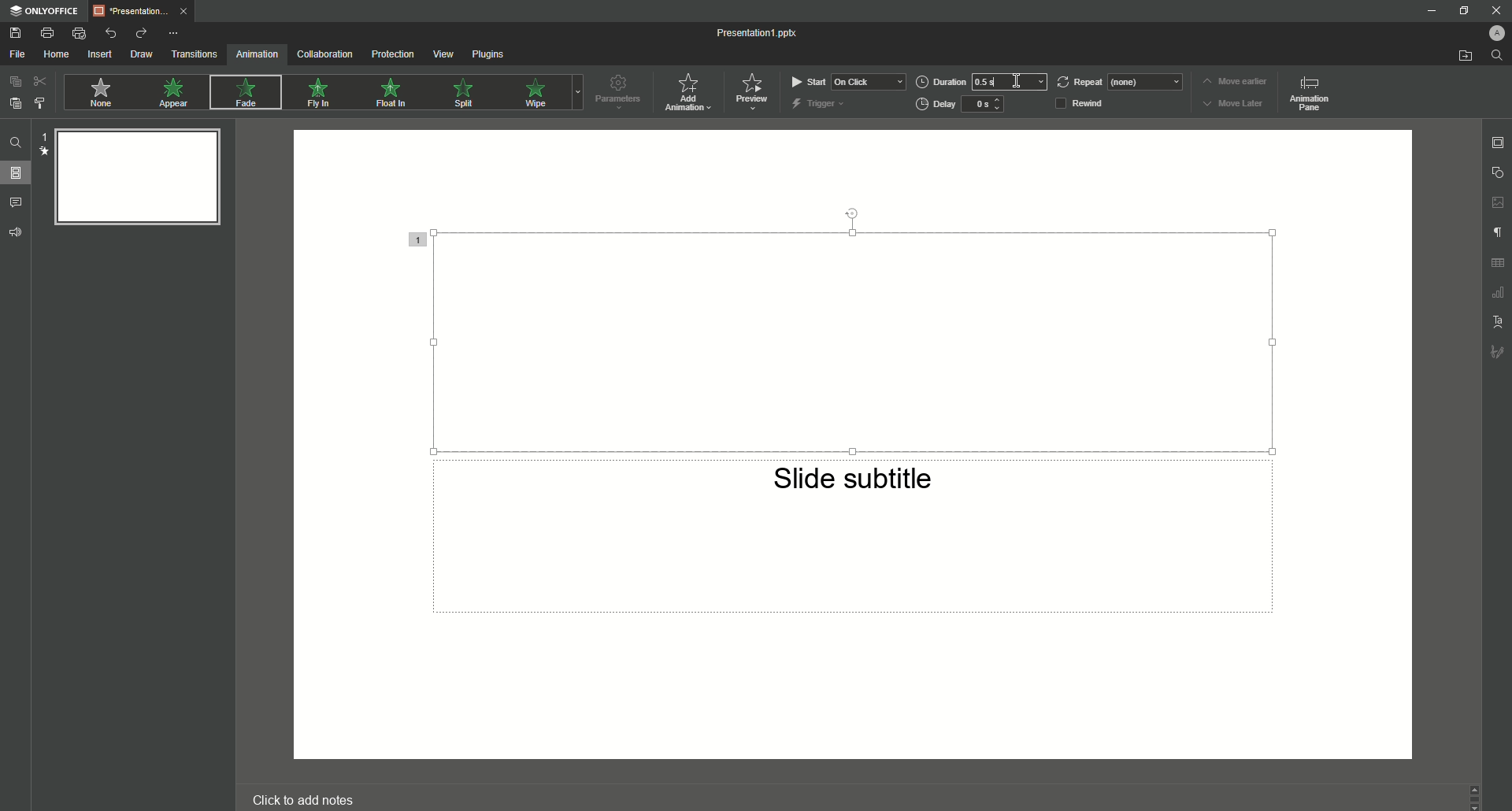 The height and width of the screenshot is (811, 1512). What do you see at coordinates (758, 34) in the screenshot?
I see `Presentation 1` at bounding box center [758, 34].